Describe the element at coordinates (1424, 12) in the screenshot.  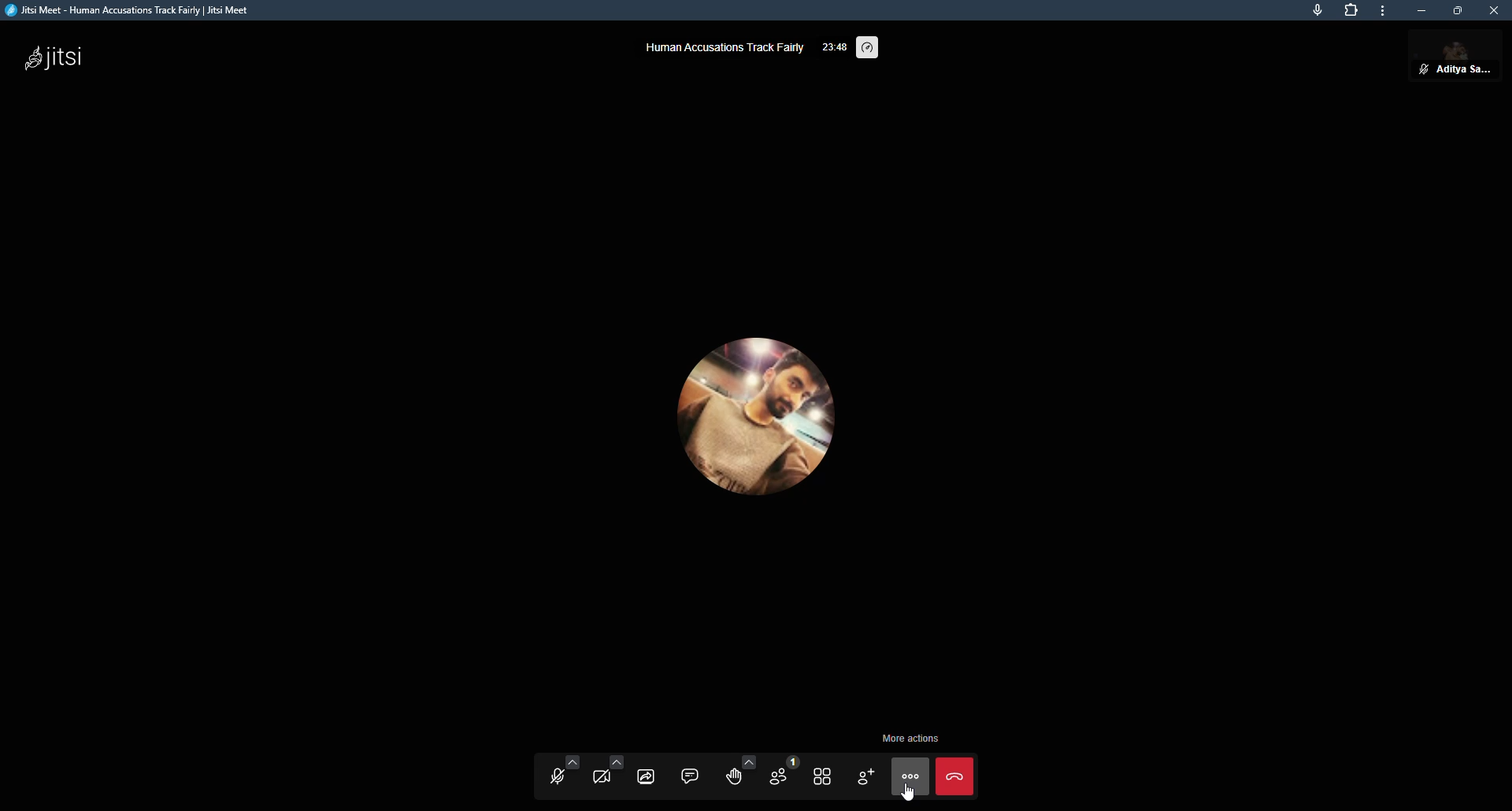
I see `minimize` at that location.